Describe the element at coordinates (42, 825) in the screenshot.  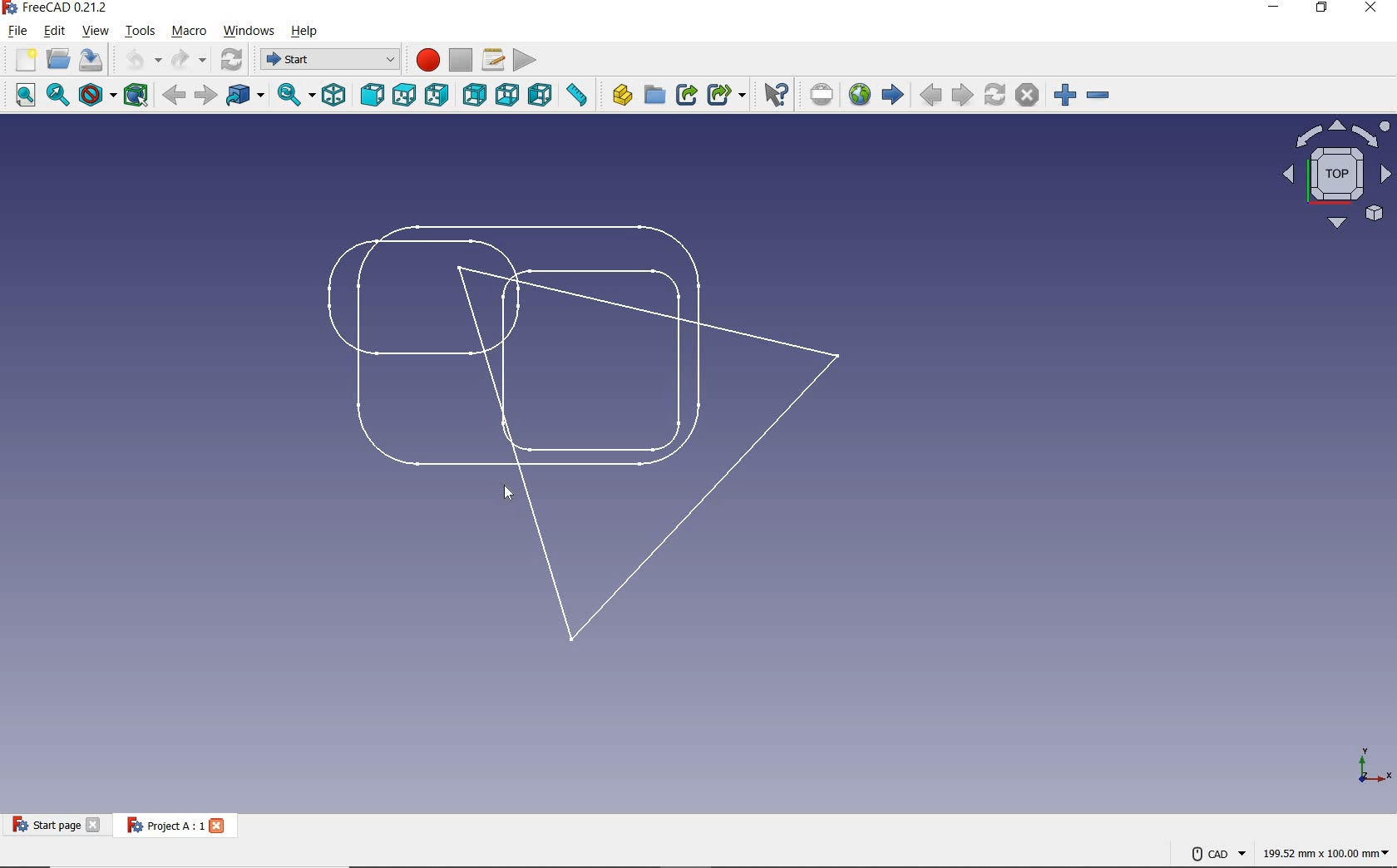
I see `START PAGE` at that location.